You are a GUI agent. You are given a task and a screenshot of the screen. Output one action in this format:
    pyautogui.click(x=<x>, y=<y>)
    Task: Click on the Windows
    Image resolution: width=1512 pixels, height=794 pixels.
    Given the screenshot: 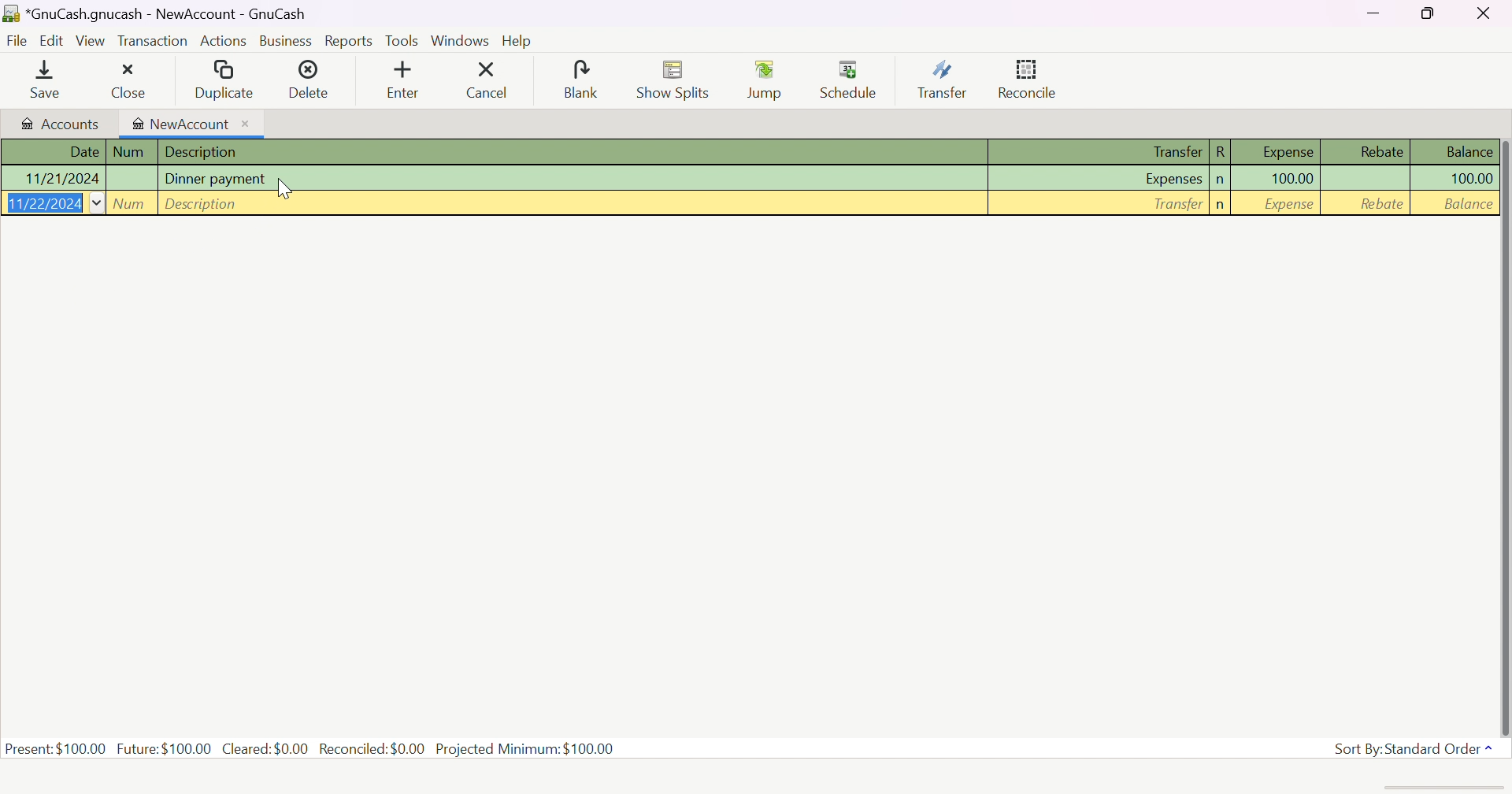 What is the action you would take?
    pyautogui.click(x=462, y=42)
    